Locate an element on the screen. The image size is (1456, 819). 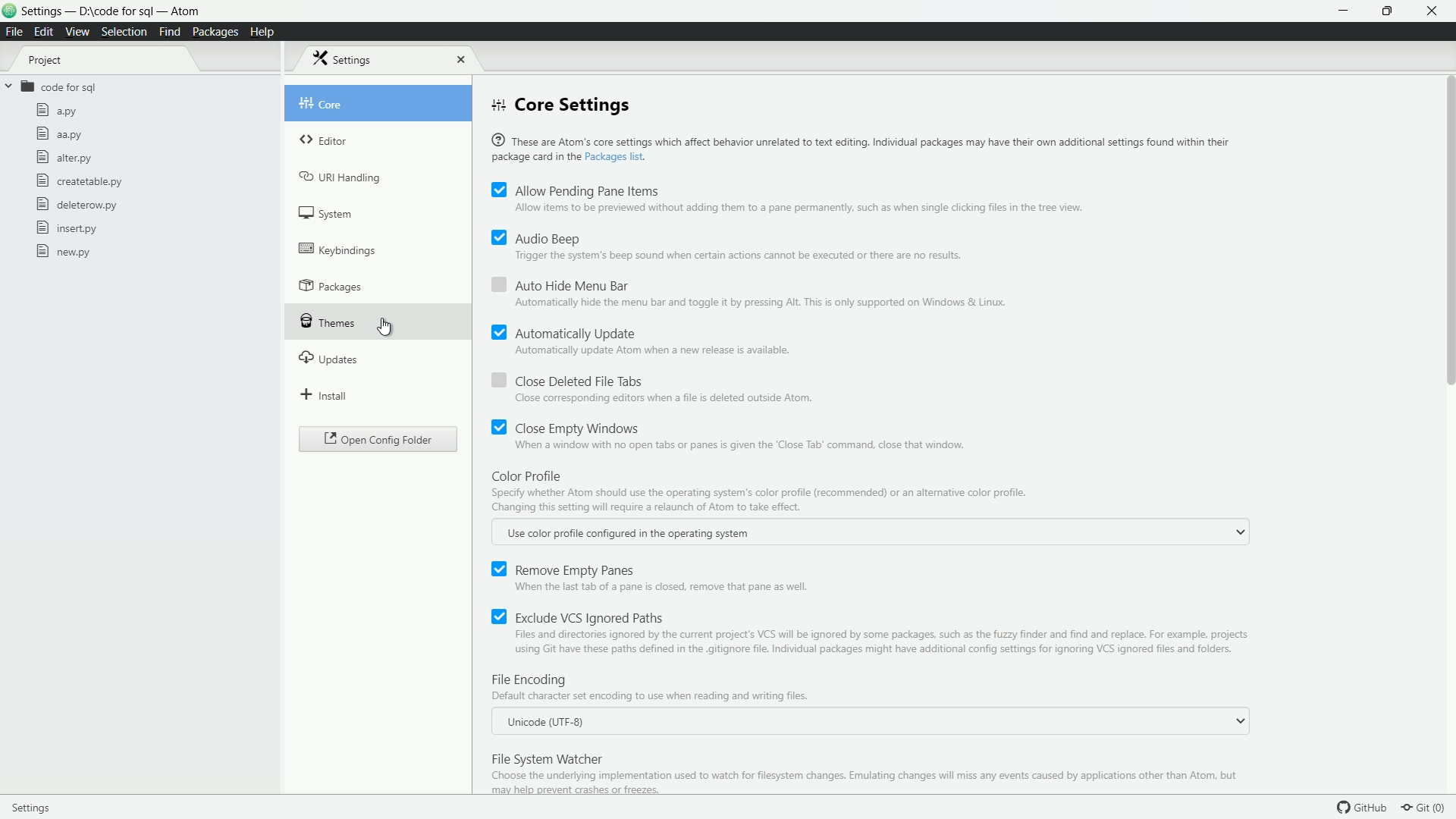
close is located at coordinates (458, 59).